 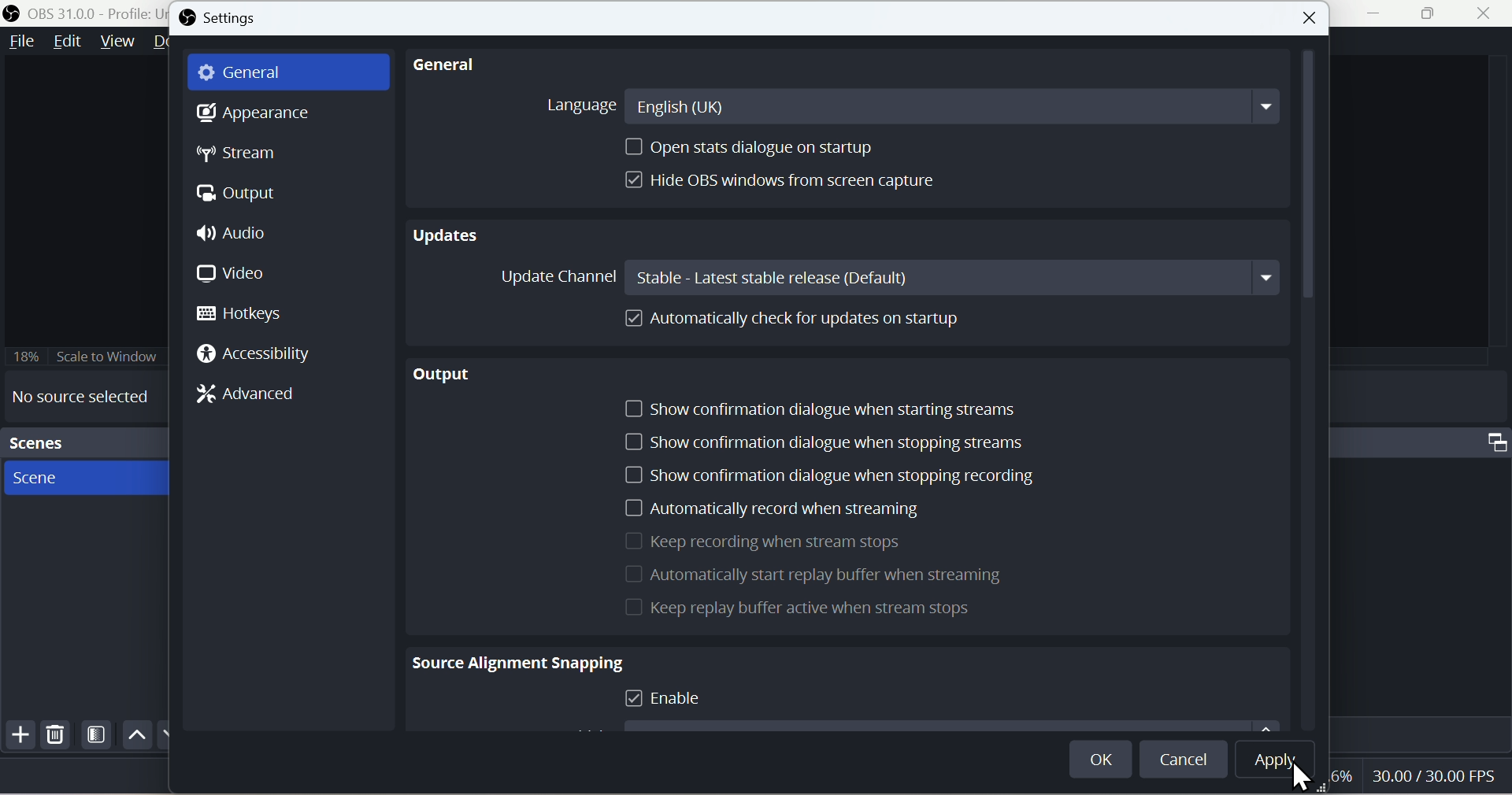 I want to click on close, so click(x=1307, y=17).